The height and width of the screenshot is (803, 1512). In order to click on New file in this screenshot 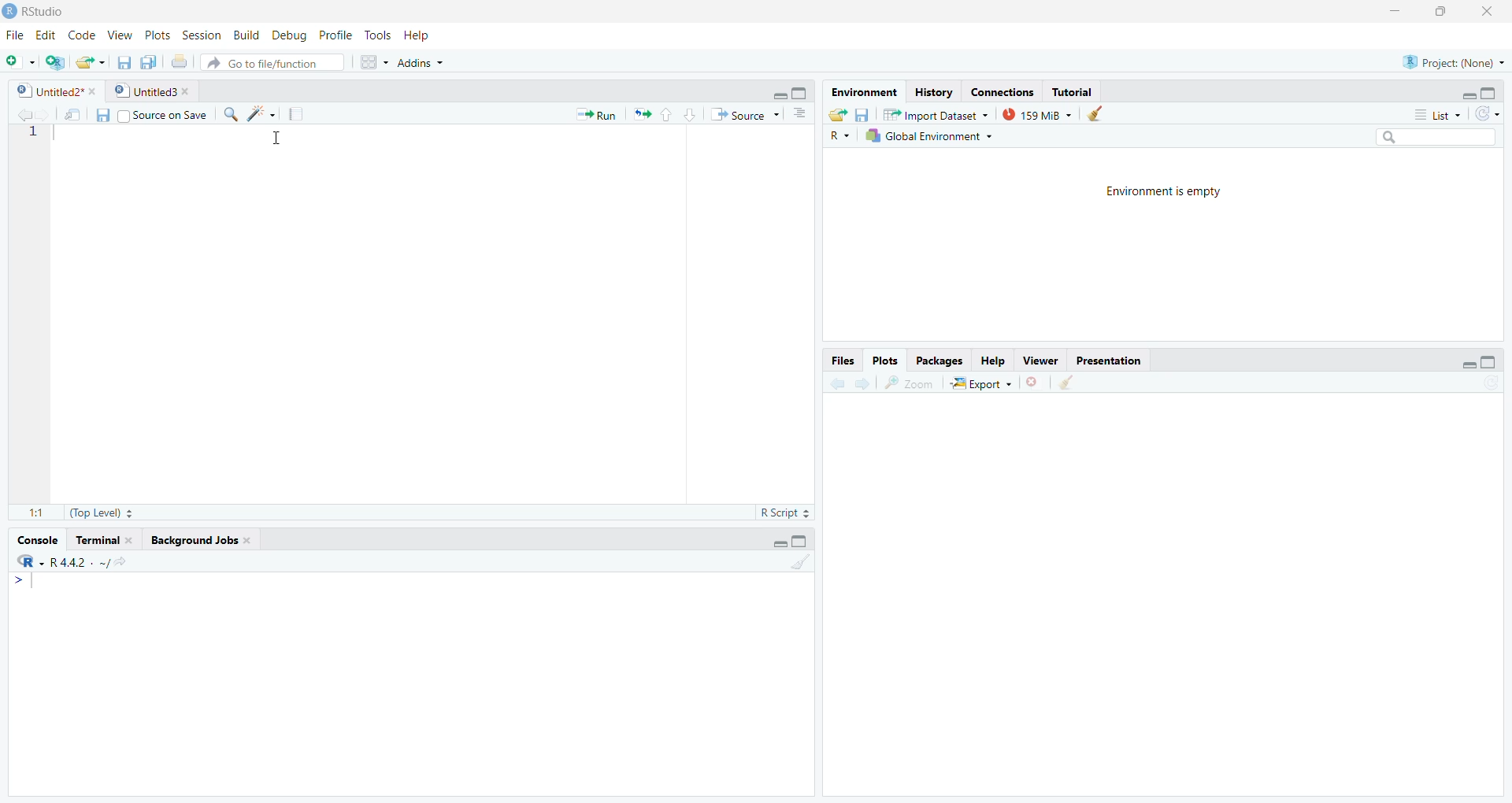, I will do `click(20, 62)`.